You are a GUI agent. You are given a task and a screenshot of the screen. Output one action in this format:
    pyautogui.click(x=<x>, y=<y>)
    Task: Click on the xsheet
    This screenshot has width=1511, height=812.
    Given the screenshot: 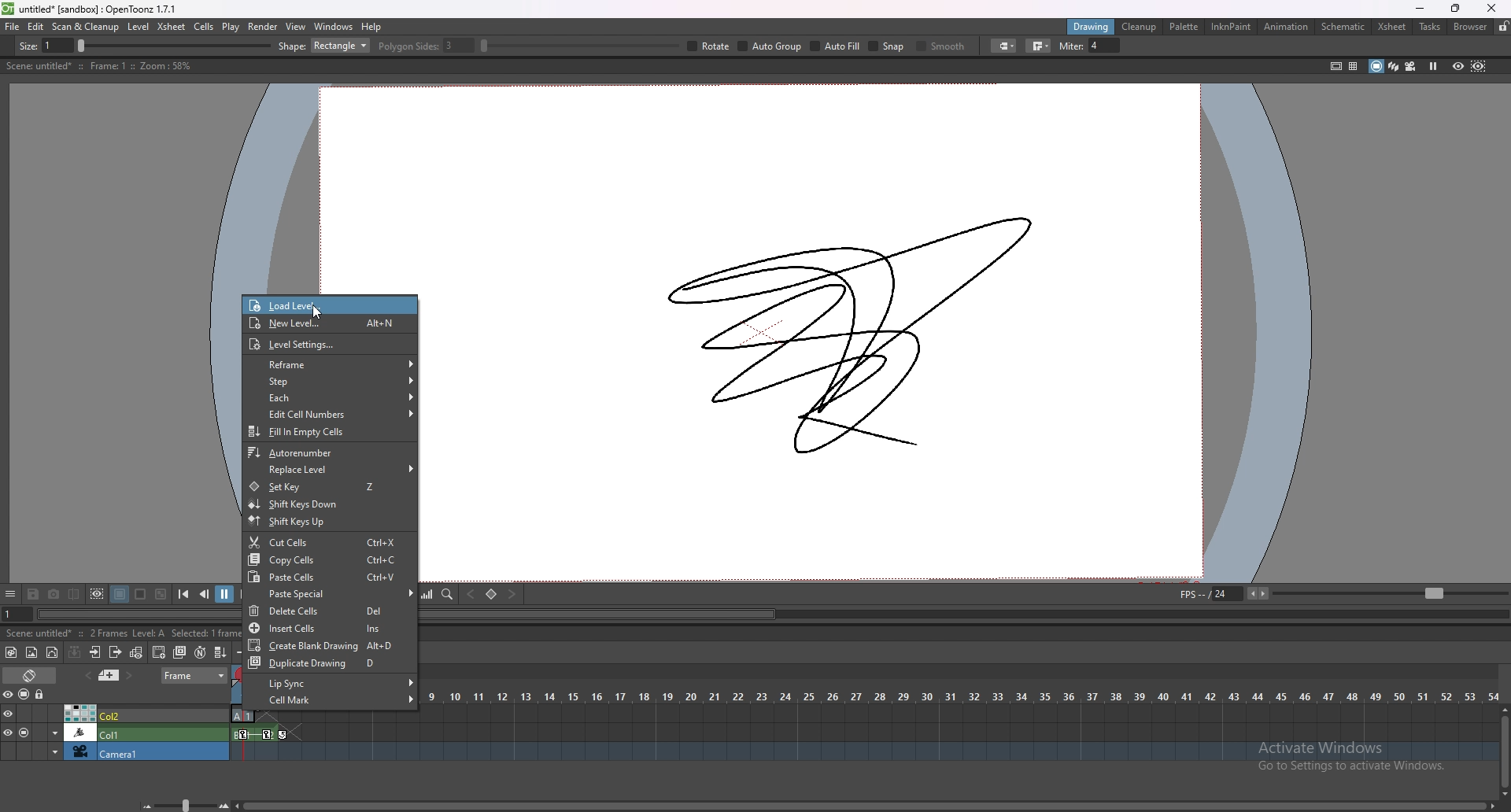 What is the action you would take?
    pyautogui.click(x=1392, y=27)
    